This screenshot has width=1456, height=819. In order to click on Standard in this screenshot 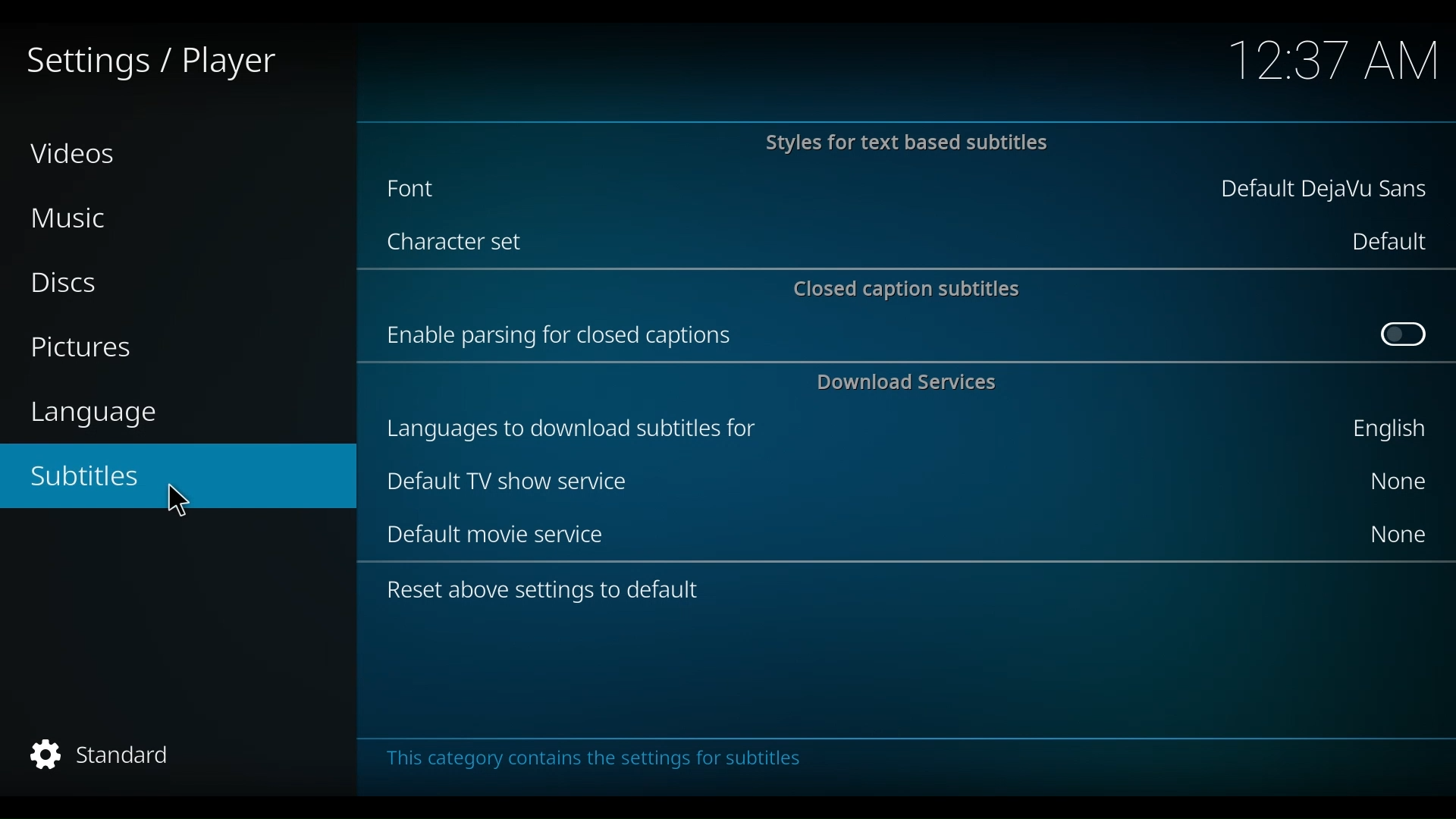, I will do `click(97, 757)`.